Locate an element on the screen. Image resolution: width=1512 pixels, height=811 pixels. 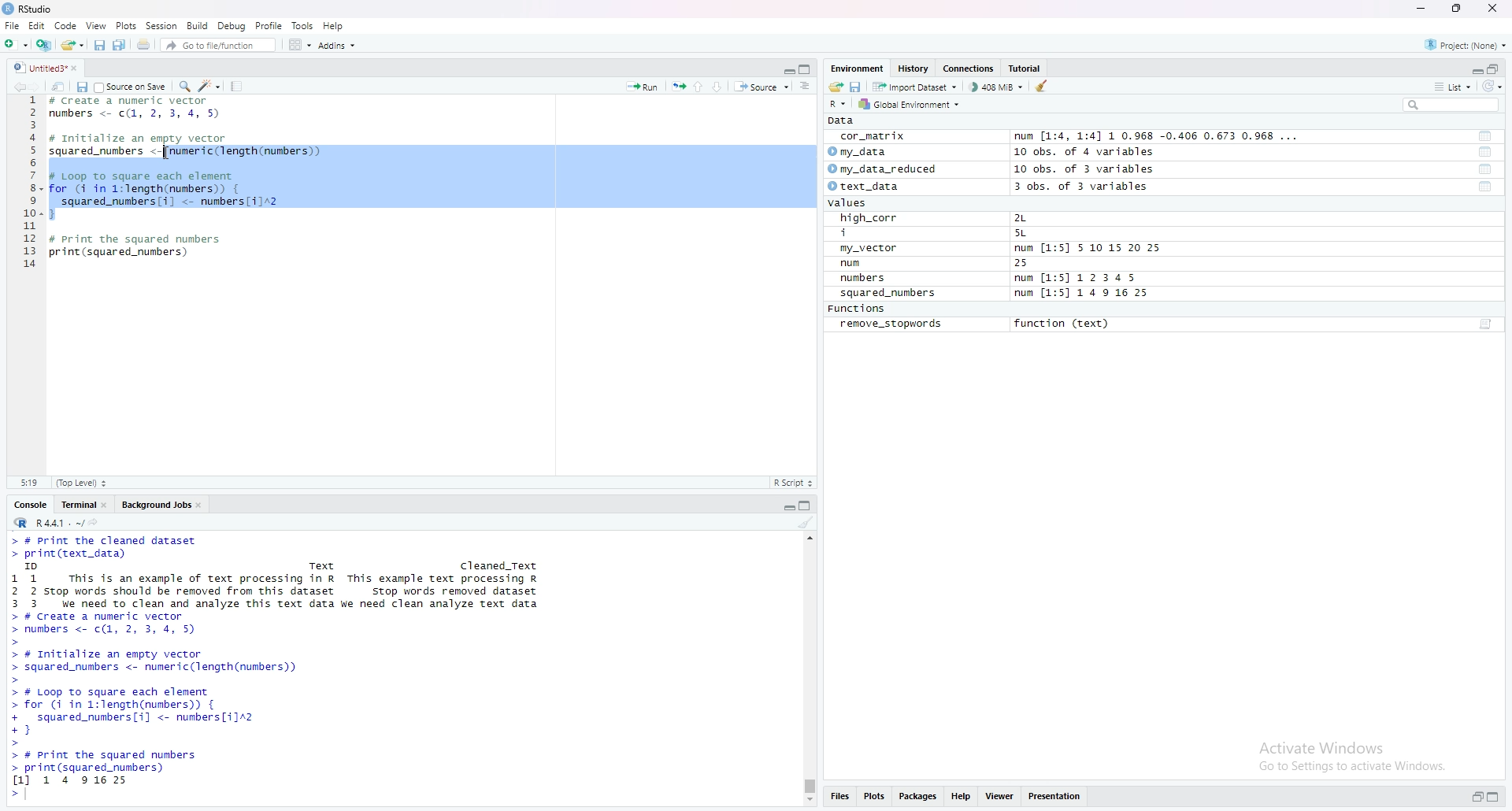
Load Workspace is located at coordinates (836, 85).